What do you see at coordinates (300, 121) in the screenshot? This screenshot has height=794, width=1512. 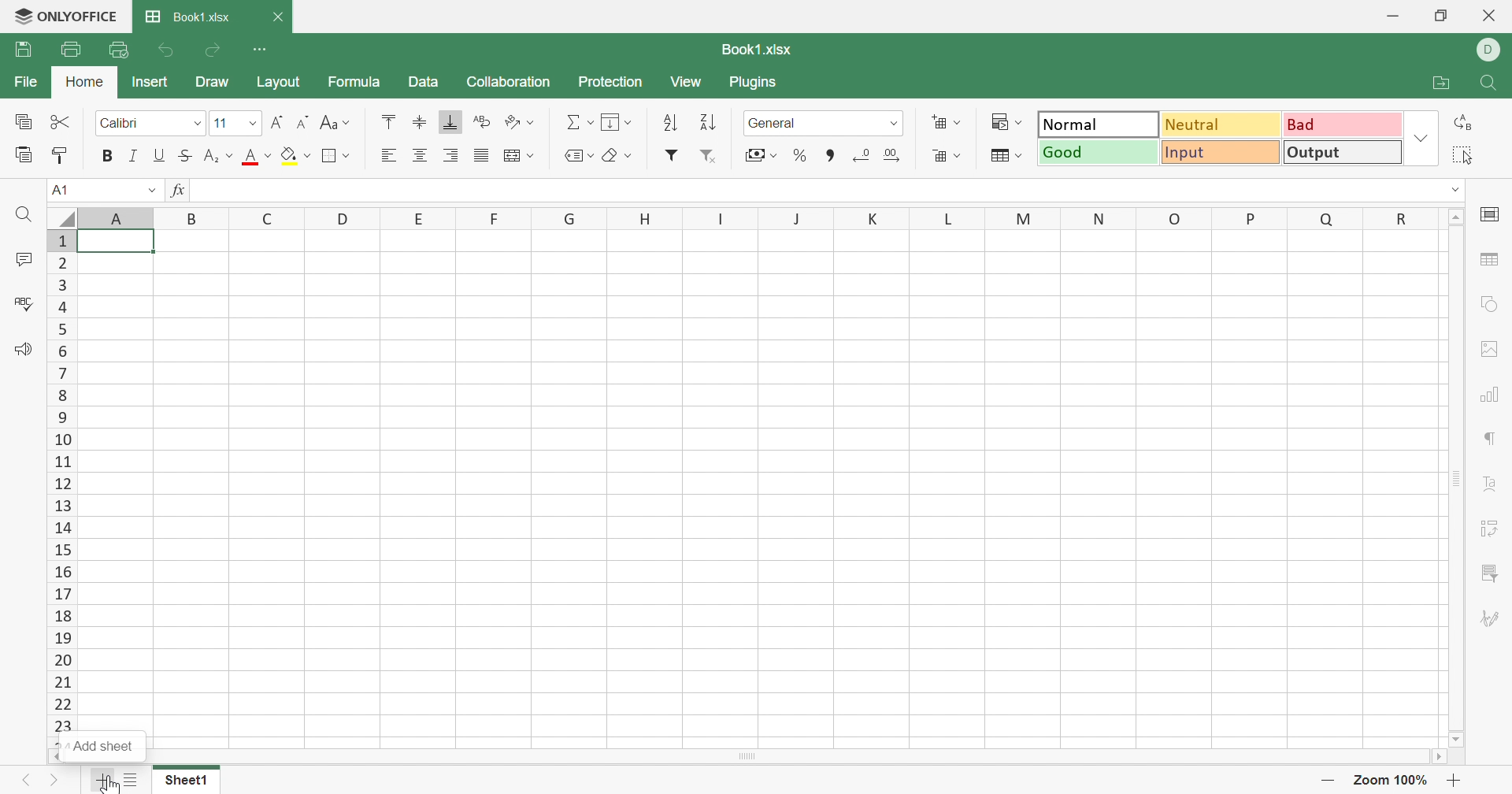 I see `Decrement font size` at bounding box center [300, 121].